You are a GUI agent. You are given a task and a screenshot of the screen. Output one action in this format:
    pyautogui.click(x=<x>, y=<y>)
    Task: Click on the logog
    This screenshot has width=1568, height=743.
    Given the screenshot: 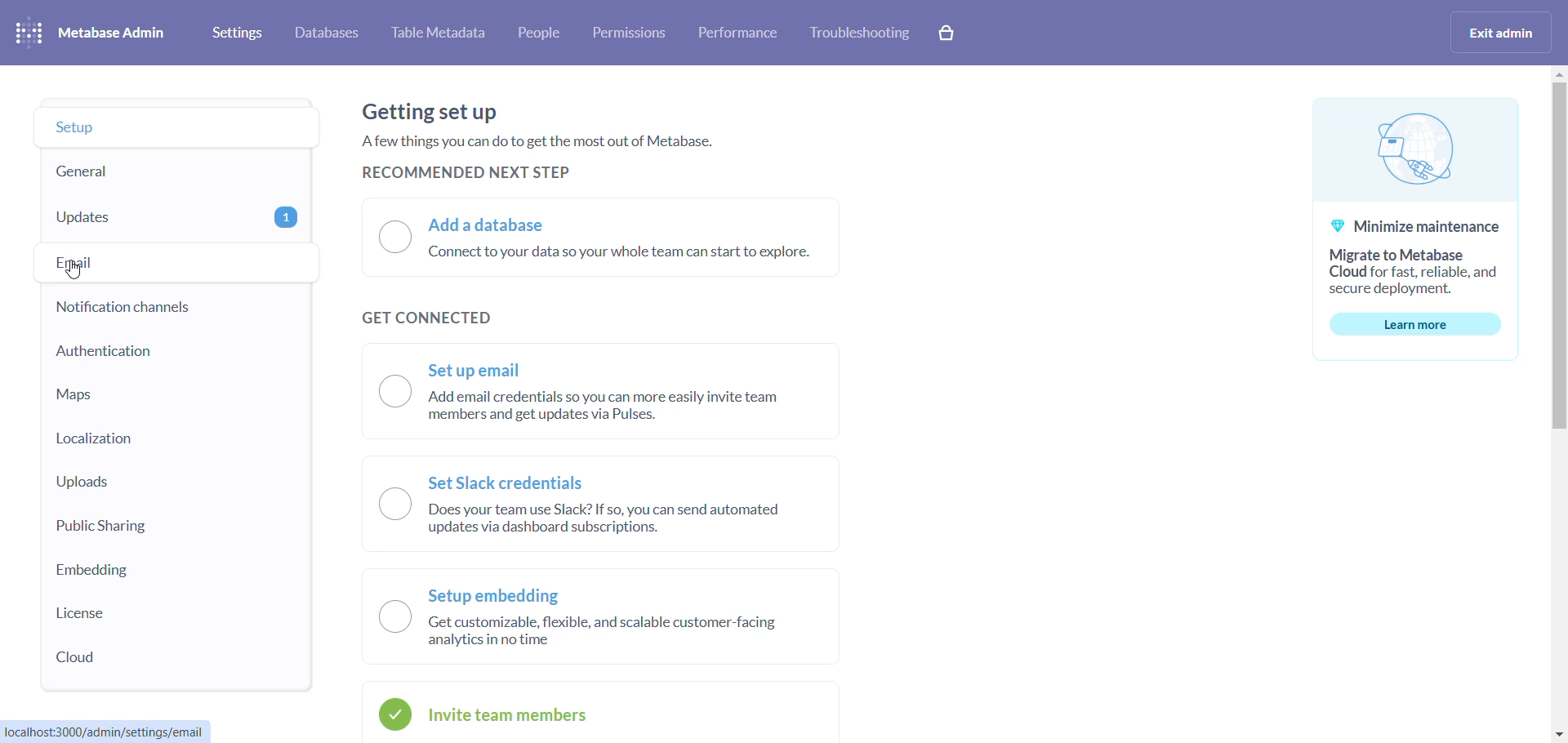 What is the action you would take?
    pyautogui.click(x=1422, y=148)
    